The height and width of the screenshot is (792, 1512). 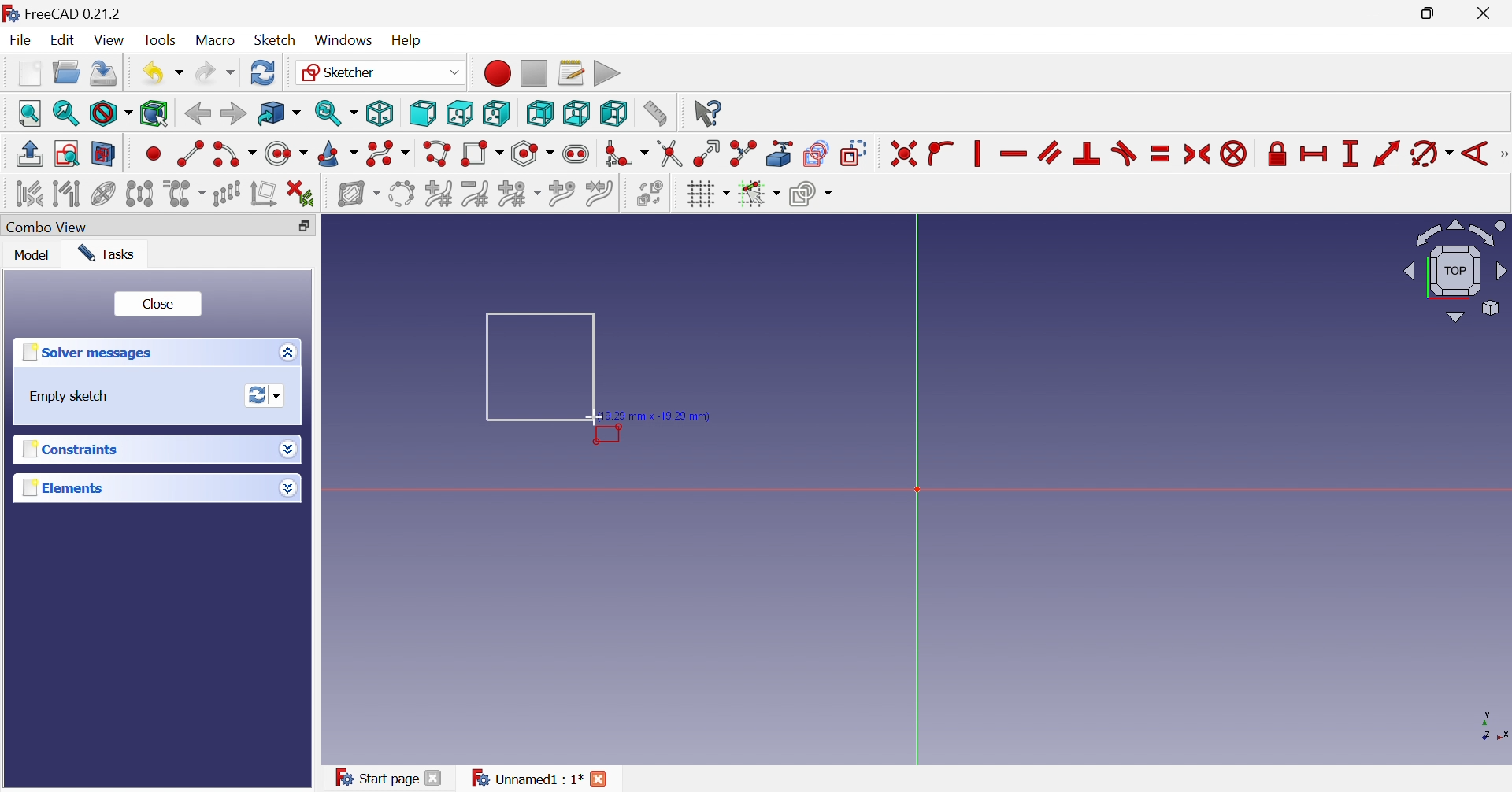 What do you see at coordinates (654, 114) in the screenshot?
I see `Measure distance` at bounding box center [654, 114].